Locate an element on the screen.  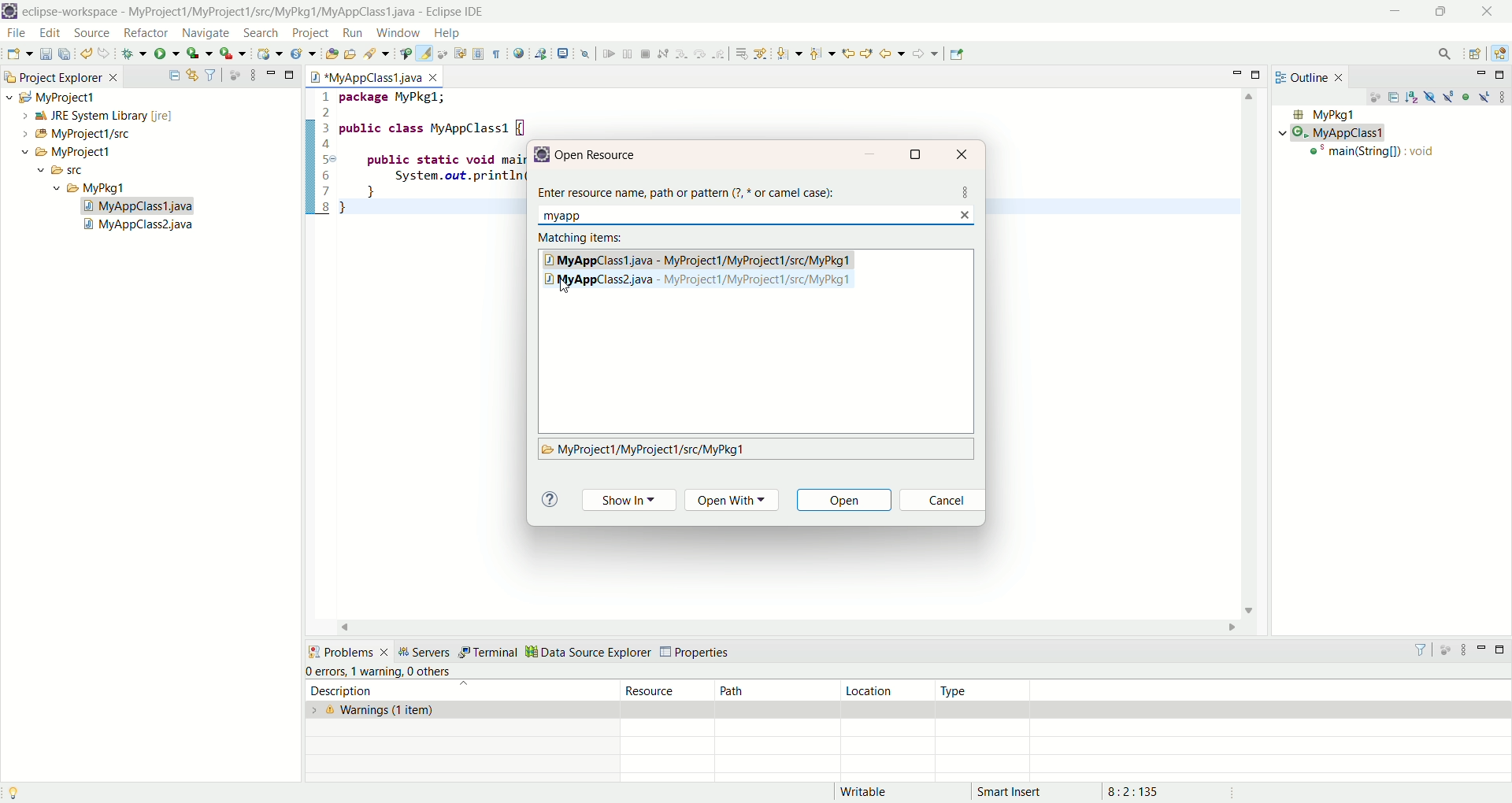
J MyAppClass1.java - MyProject1/MyProject1/src/MyPkg1 is located at coordinates (701, 259).